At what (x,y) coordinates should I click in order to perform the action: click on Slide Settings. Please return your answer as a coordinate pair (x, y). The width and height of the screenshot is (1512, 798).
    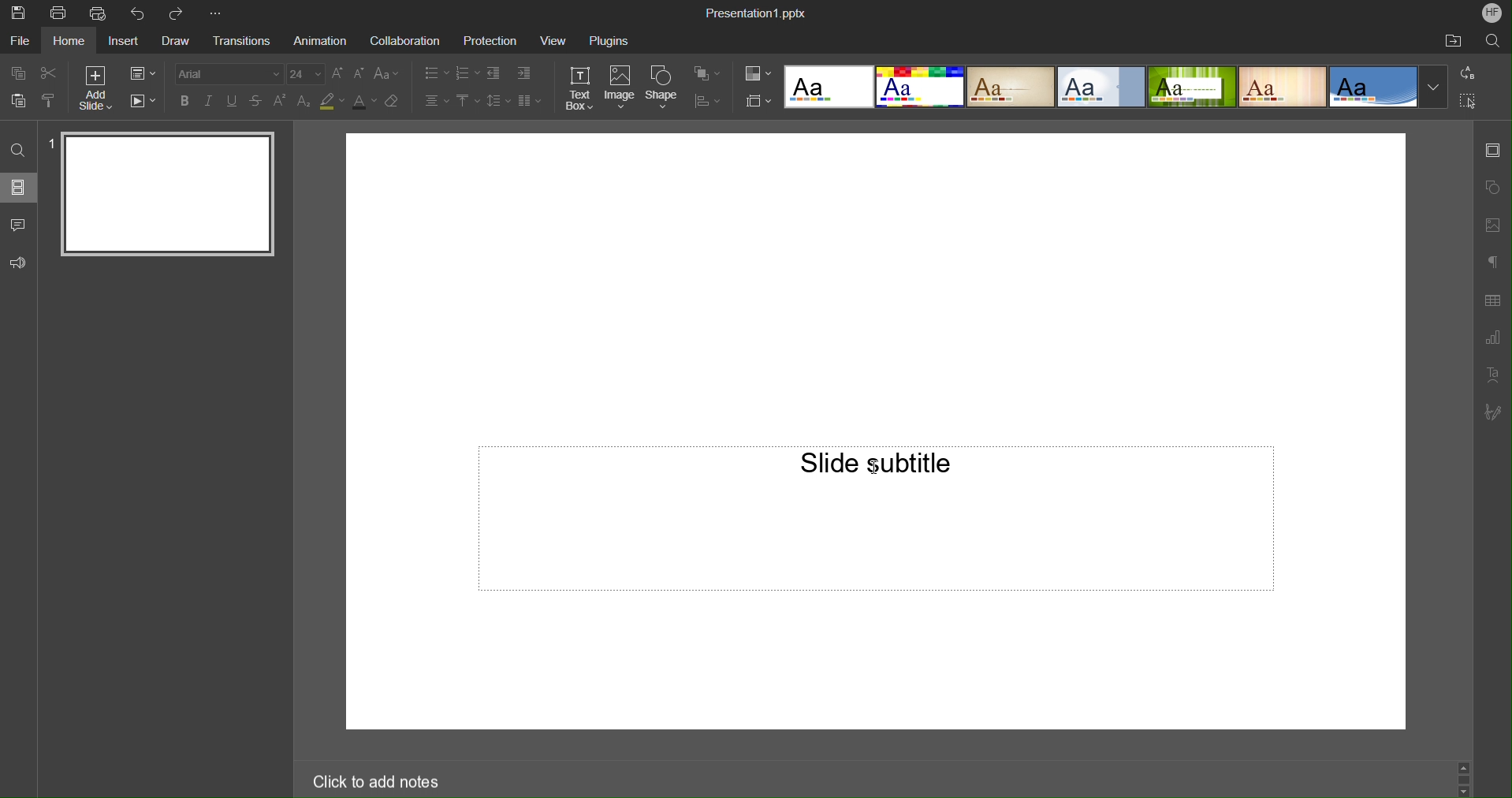
    Looking at the image, I should click on (143, 73).